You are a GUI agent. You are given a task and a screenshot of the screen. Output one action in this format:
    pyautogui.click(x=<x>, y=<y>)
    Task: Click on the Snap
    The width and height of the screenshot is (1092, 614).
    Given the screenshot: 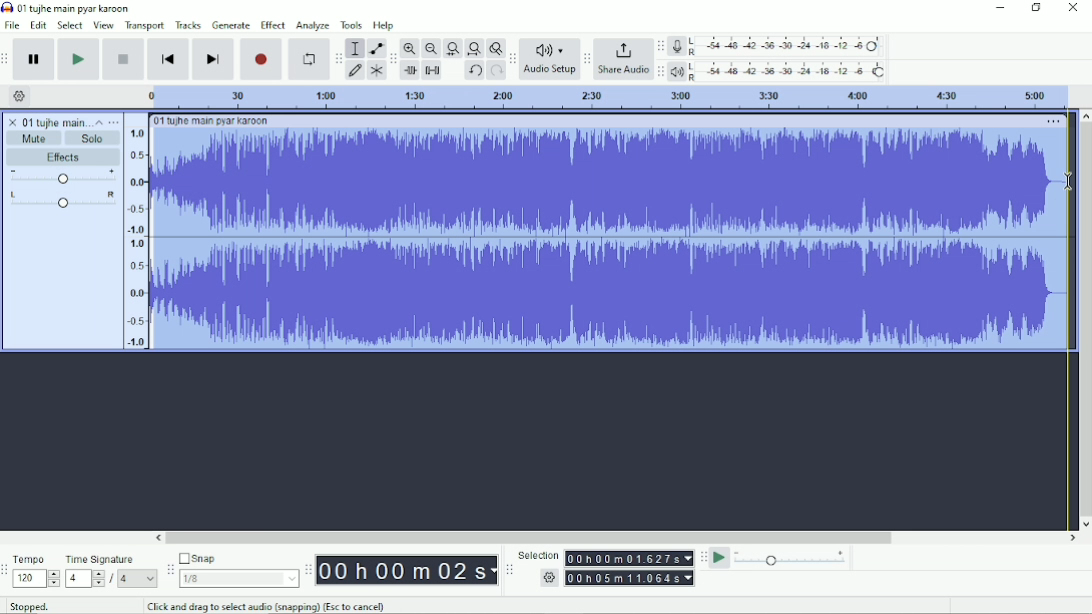 What is the action you would take?
    pyautogui.click(x=238, y=557)
    